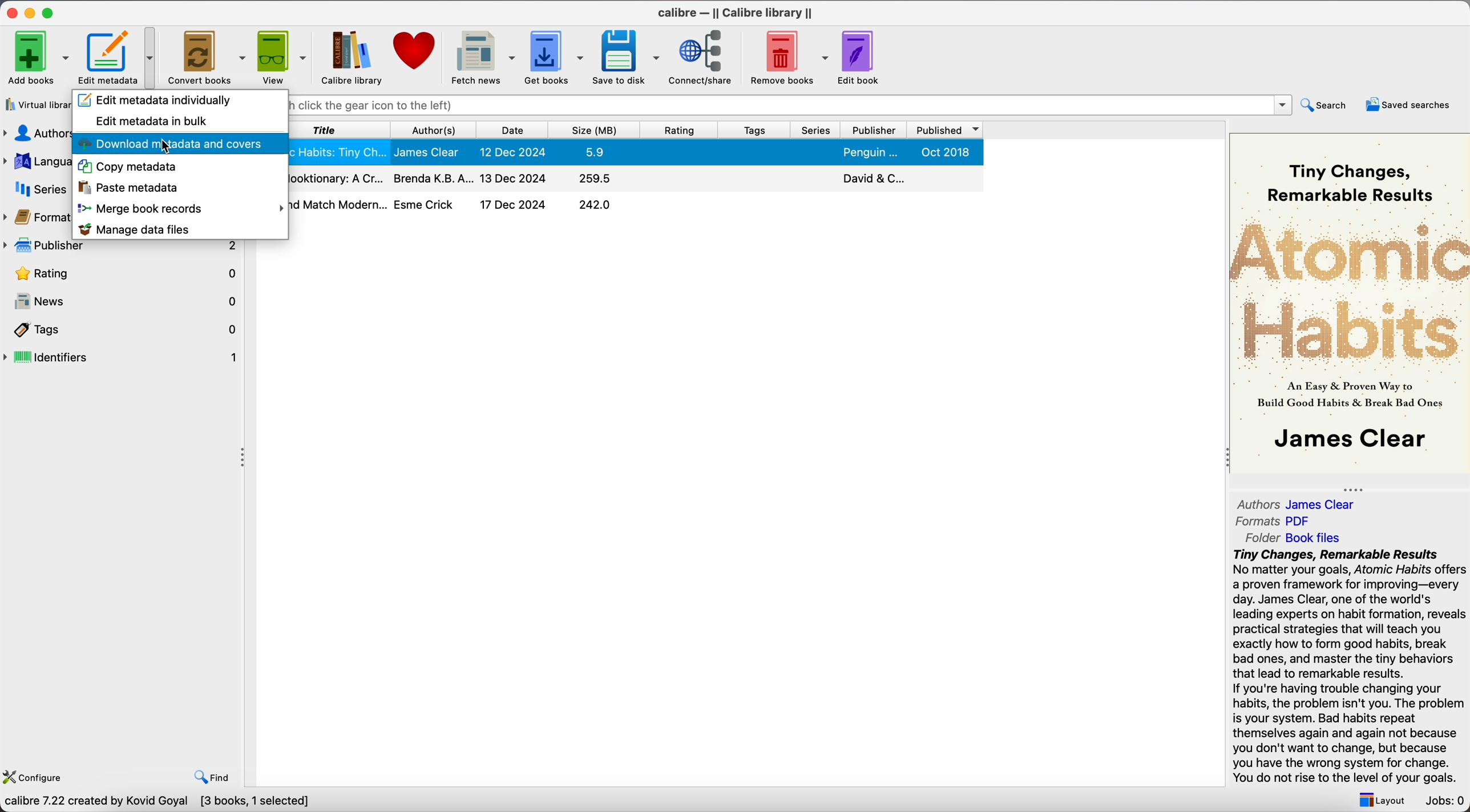  I want to click on maximize app, so click(50, 13).